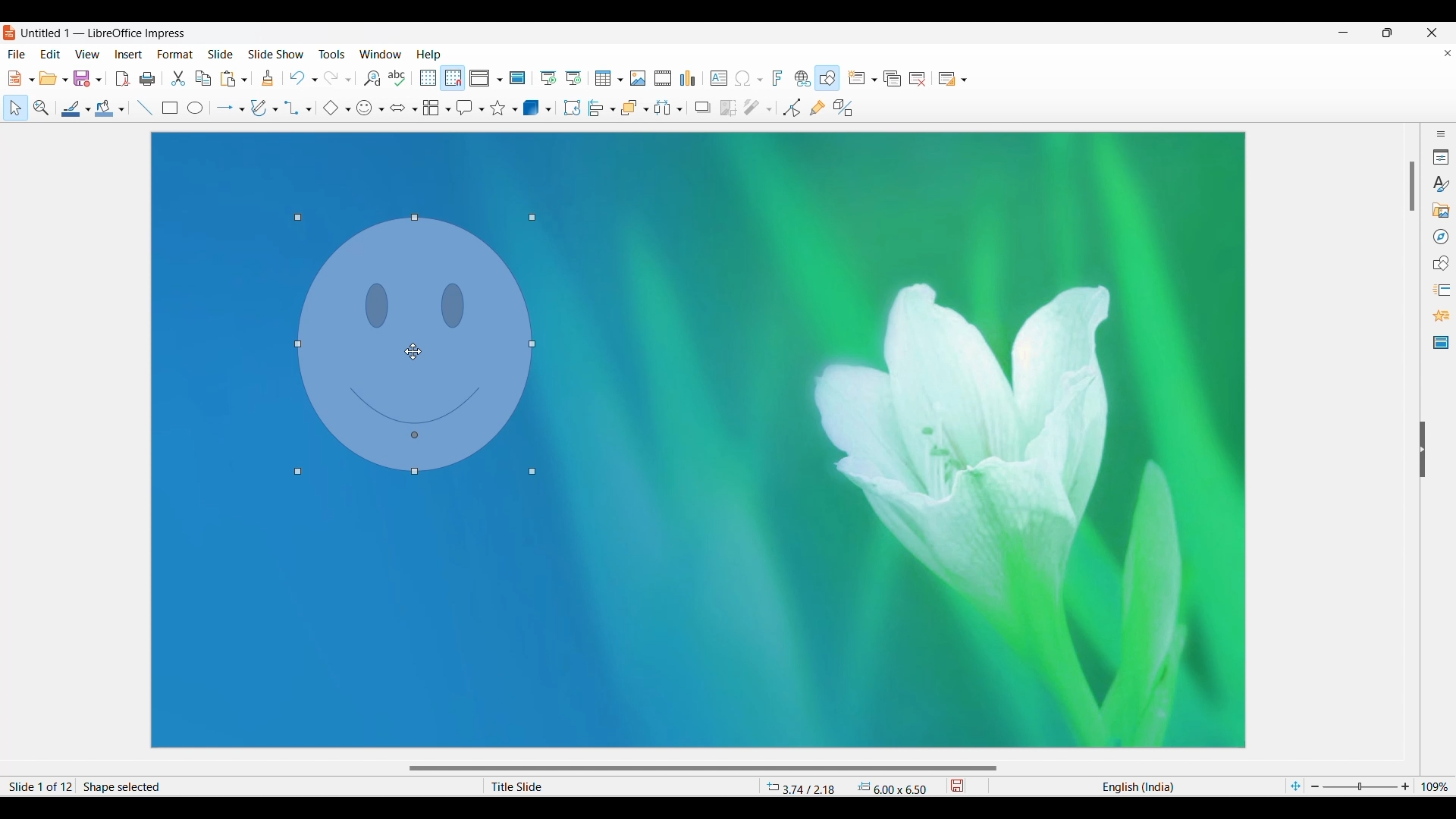 Image resolution: width=1456 pixels, height=819 pixels. Describe the element at coordinates (548, 109) in the screenshot. I see `3D shape options` at that location.